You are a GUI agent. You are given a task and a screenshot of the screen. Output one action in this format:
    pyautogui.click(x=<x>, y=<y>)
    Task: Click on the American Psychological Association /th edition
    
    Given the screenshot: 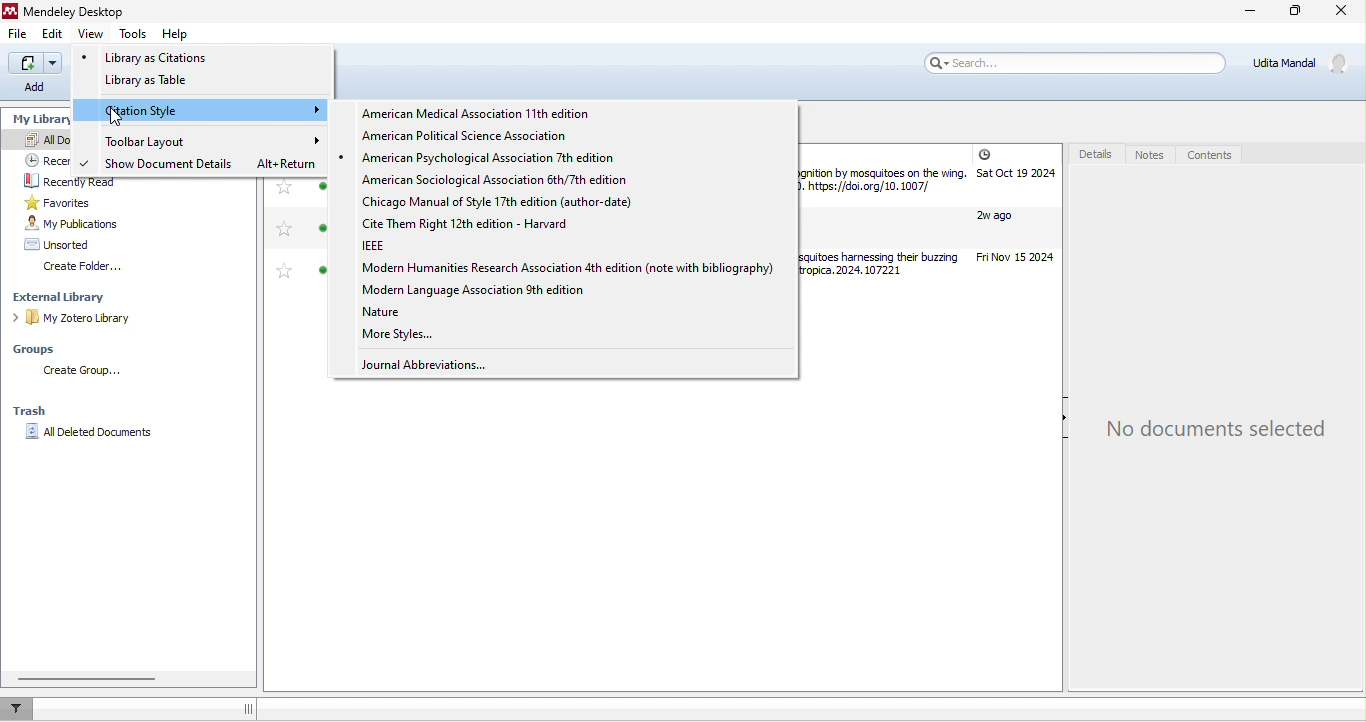 What is the action you would take?
    pyautogui.click(x=527, y=158)
    